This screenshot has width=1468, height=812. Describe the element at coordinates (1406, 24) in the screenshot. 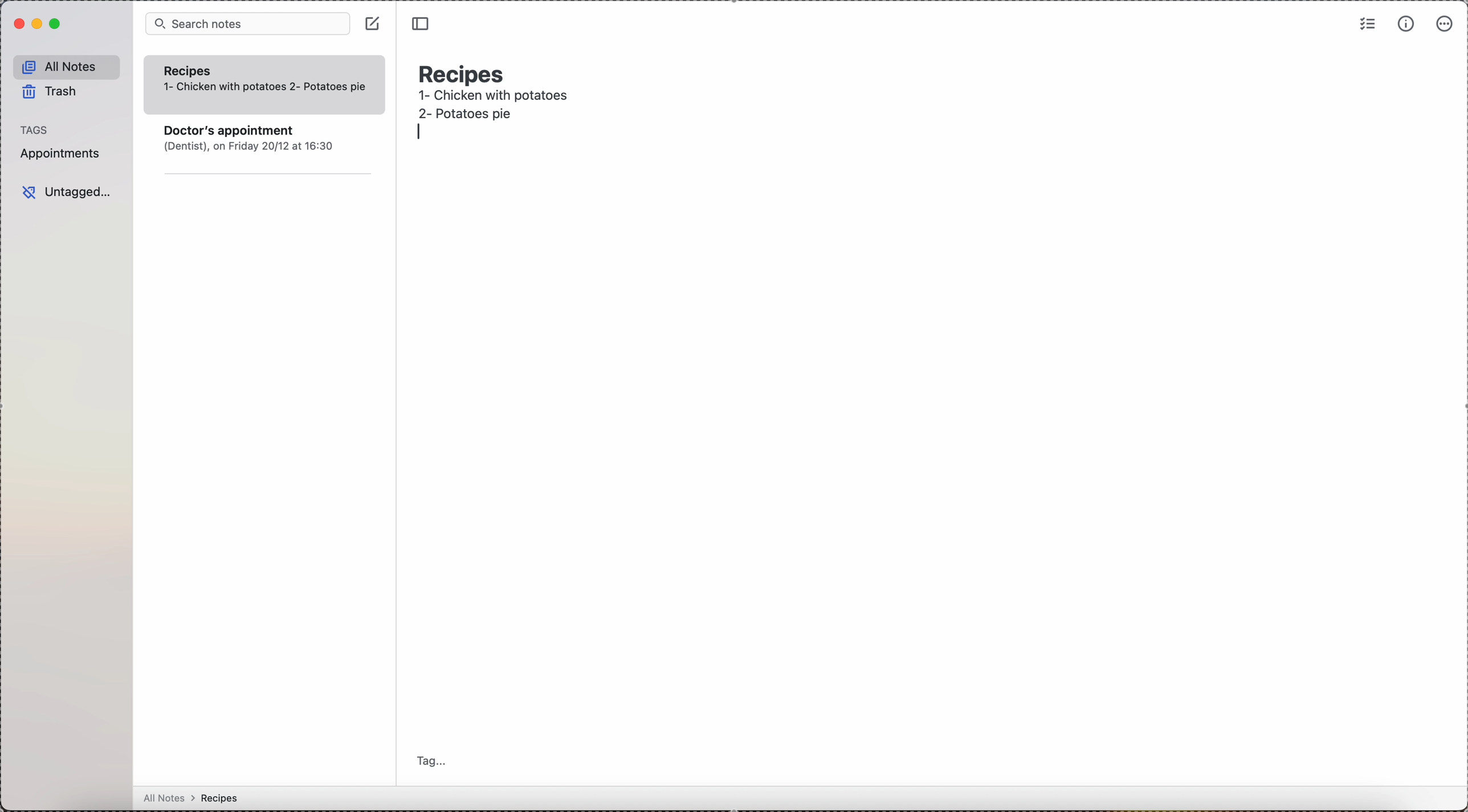

I see `metrics` at that location.